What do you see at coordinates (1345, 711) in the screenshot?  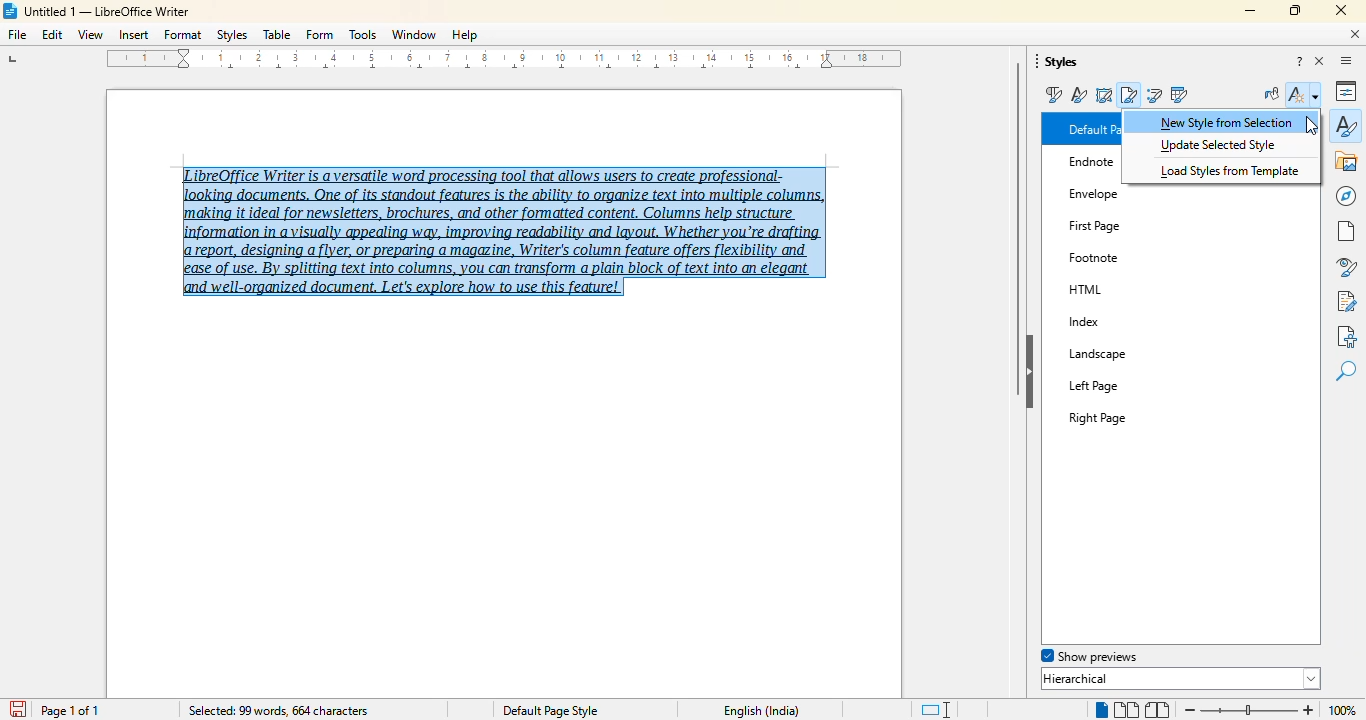 I see `100% (change zoom level)` at bounding box center [1345, 711].